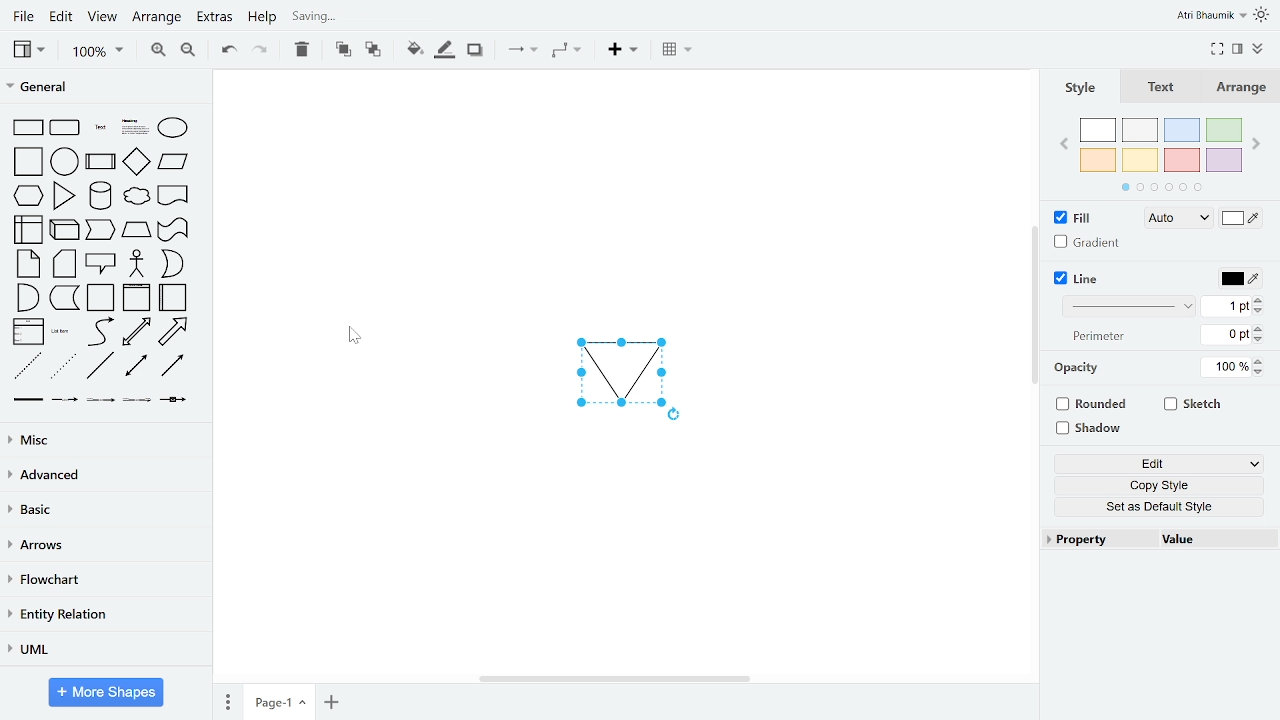 This screenshot has height=720, width=1280. What do you see at coordinates (1095, 539) in the screenshot?
I see `property` at bounding box center [1095, 539].